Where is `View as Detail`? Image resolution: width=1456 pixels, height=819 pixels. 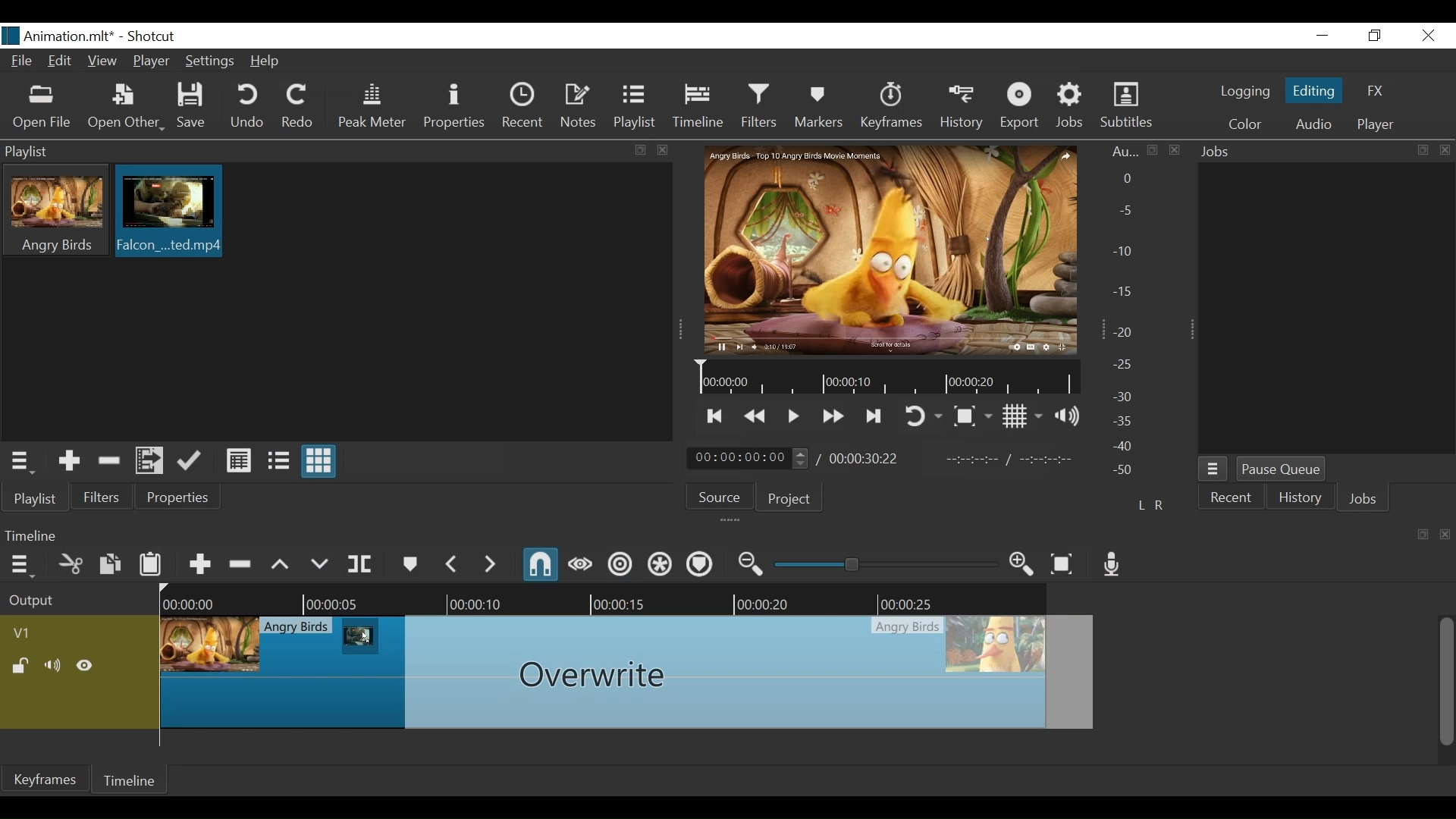 View as Detail is located at coordinates (238, 462).